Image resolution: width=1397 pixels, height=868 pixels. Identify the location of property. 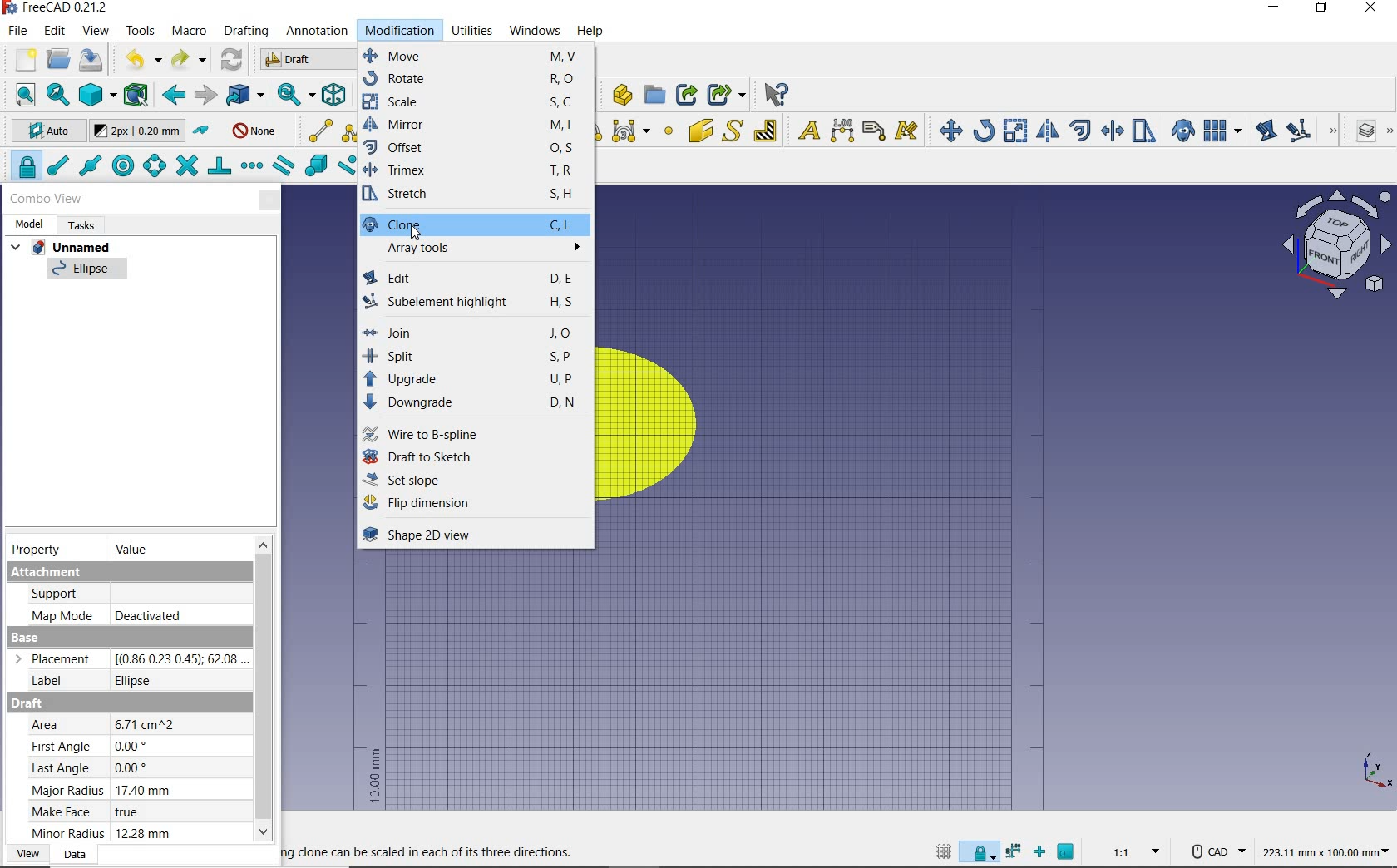
(40, 550).